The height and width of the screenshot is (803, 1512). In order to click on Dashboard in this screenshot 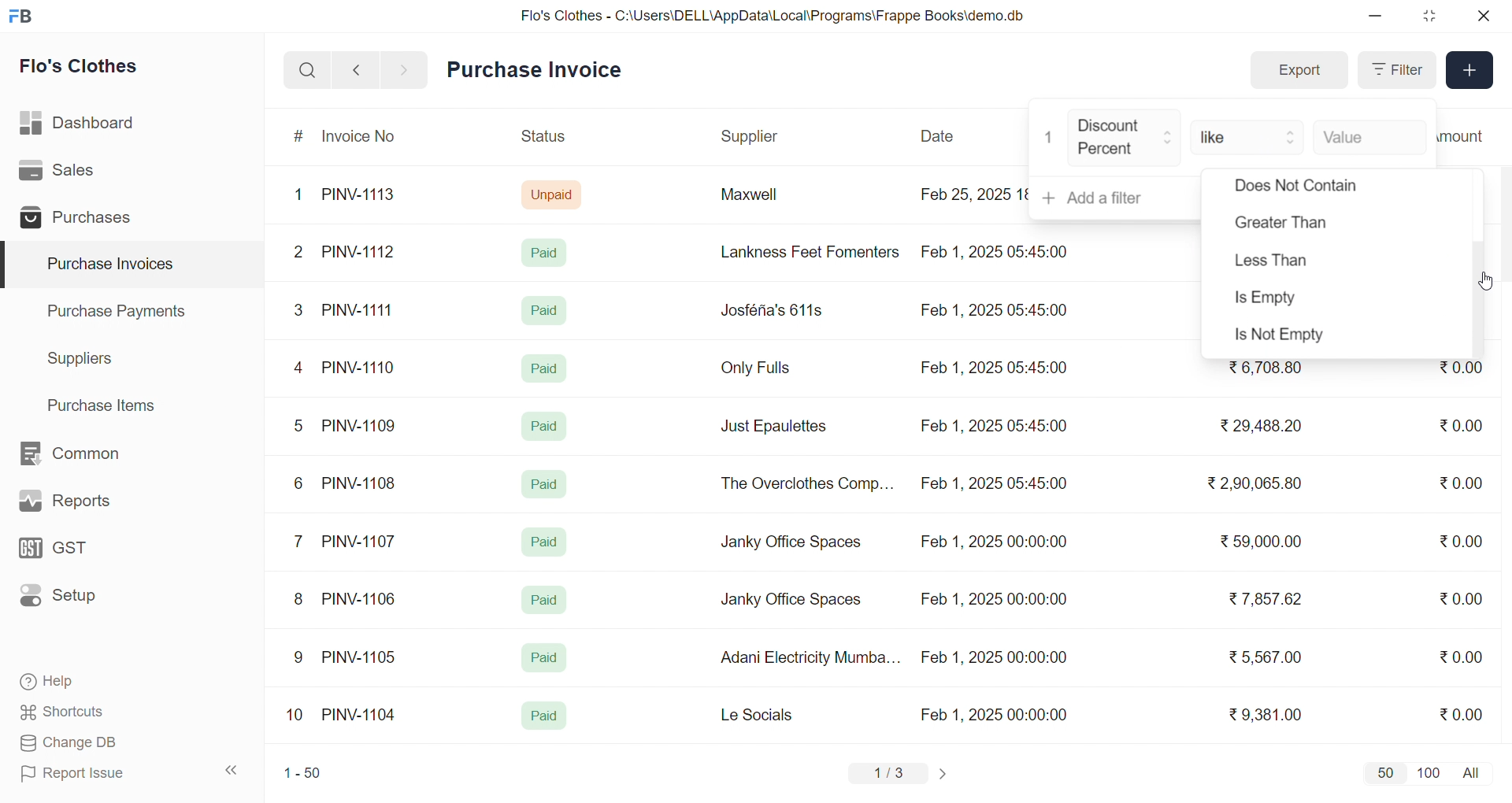, I will do `click(82, 126)`.